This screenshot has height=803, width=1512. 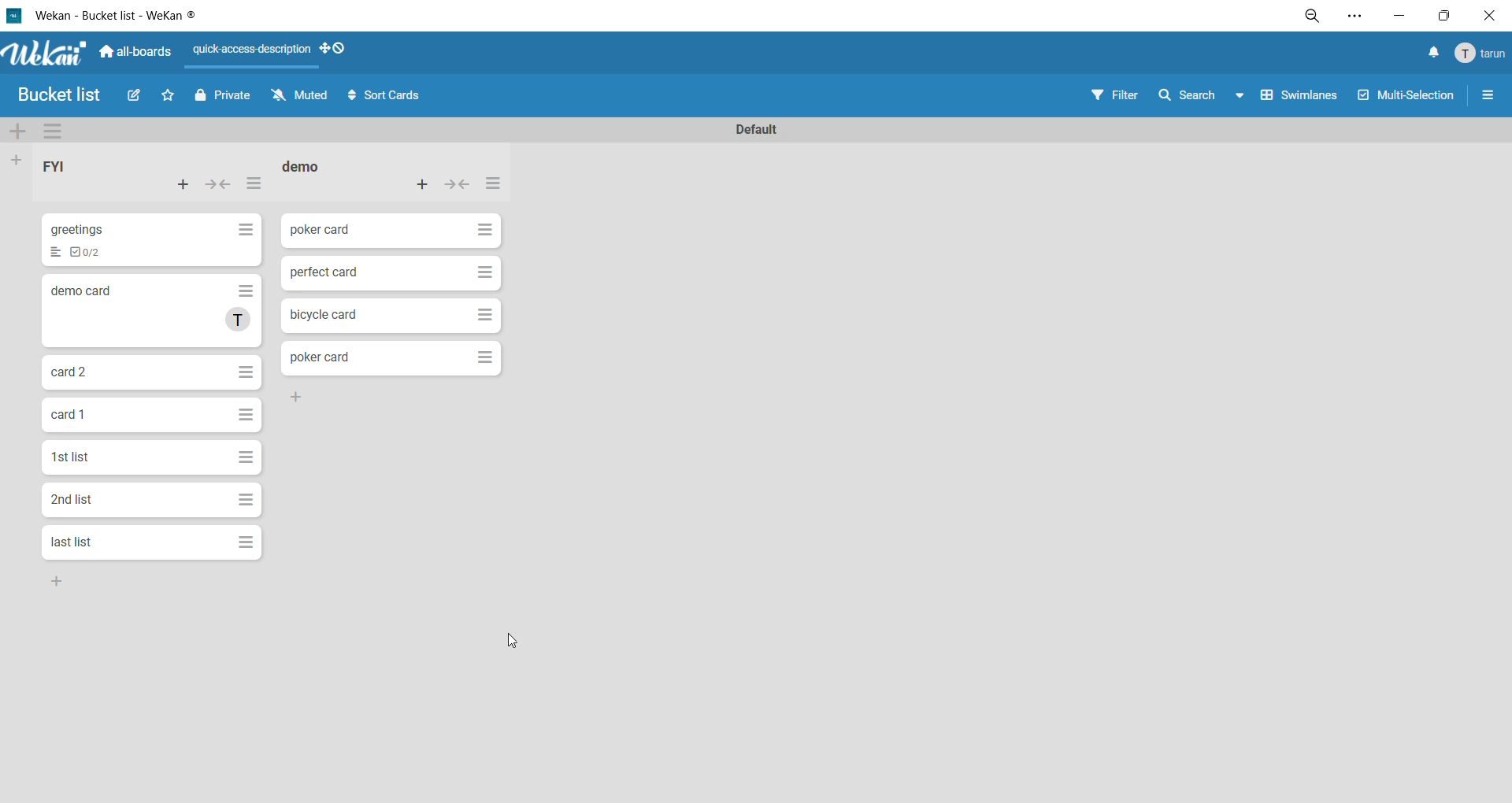 What do you see at coordinates (221, 185) in the screenshot?
I see `collapse` at bounding box center [221, 185].